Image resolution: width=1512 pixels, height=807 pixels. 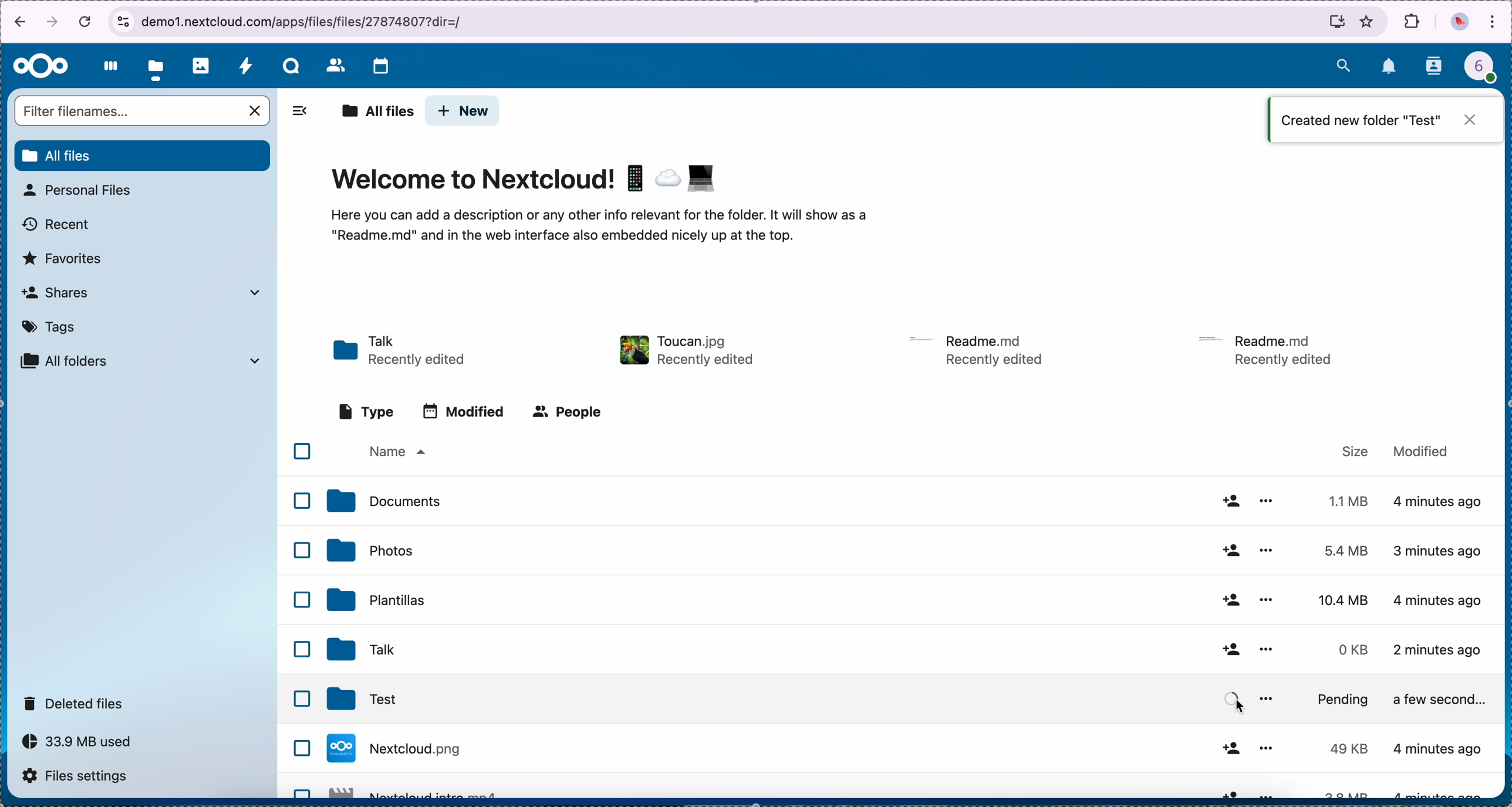 What do you see at coordinates (420, 791) in the screenshot?
I see `Nextcloud file` at bounding box center [420, 791].